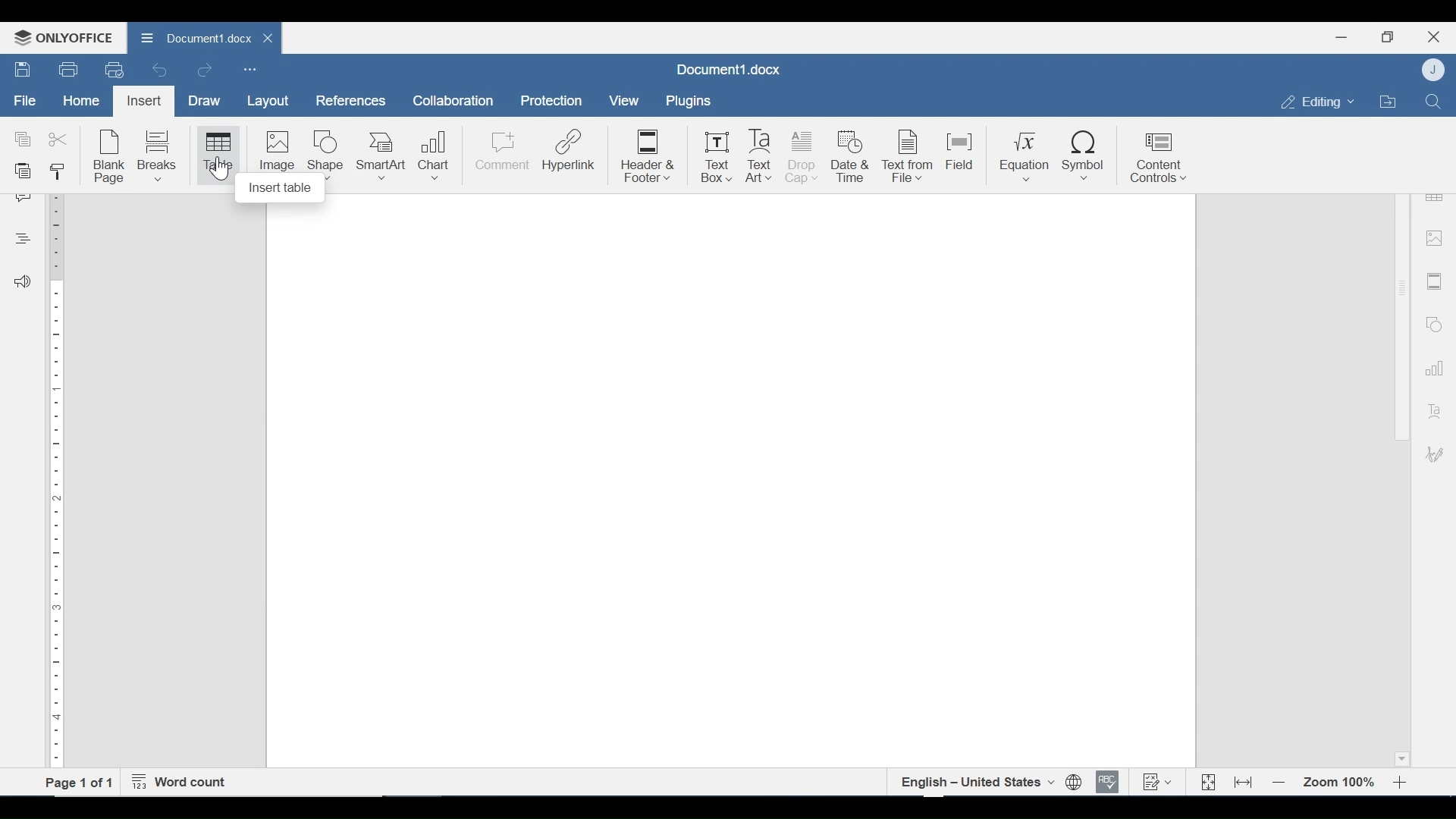  Describe the element at coordinates (435, 156) in the screenshot. I see `Chart` at that location.